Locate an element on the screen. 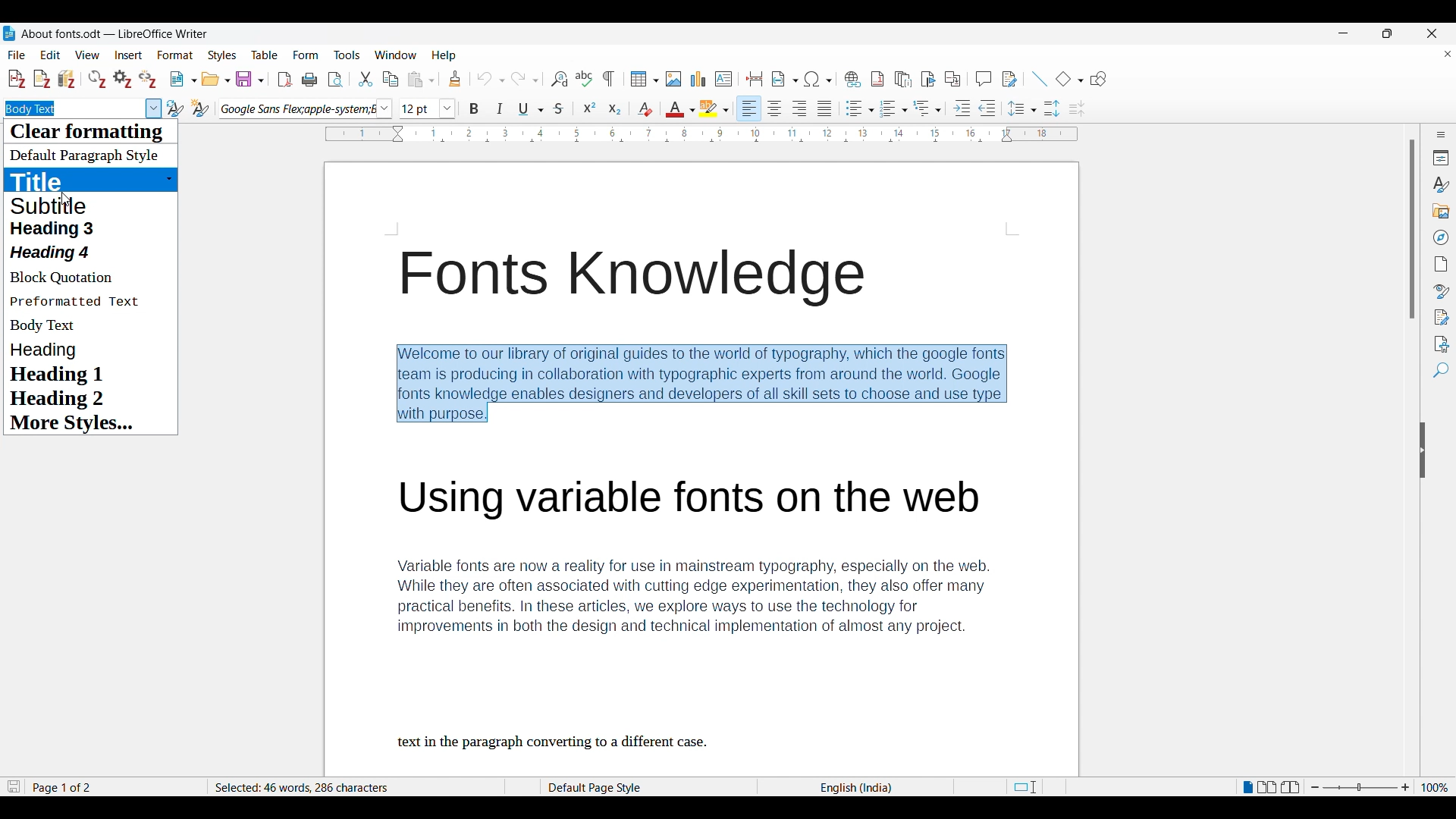  Insert footnote is located at coordinates (877, 79).